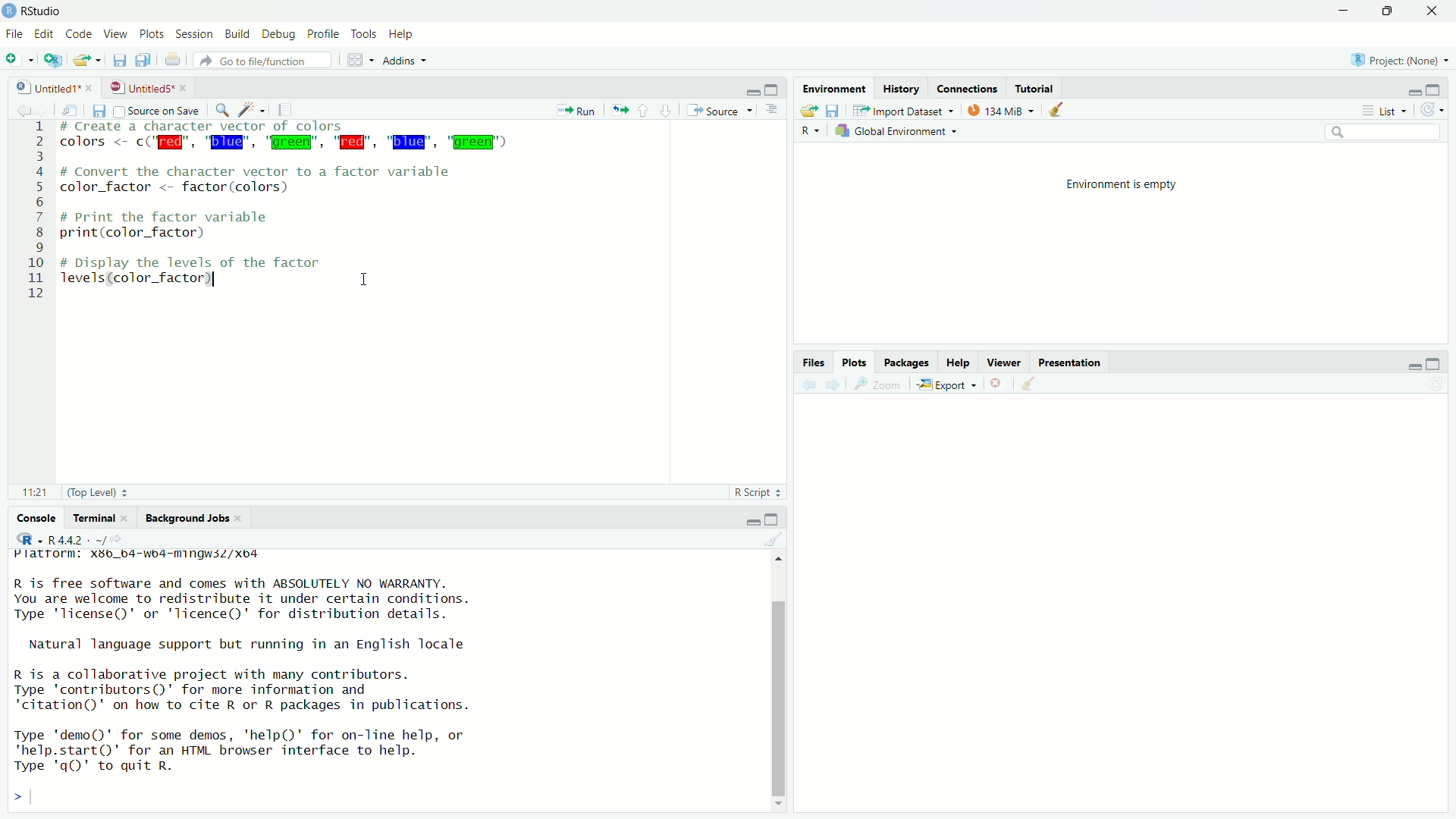 The image size is (1456, 819). What do you see at coordinates (781, 685) in the screenshot?
I see `scrollbar` at bounding box center [781, 685].